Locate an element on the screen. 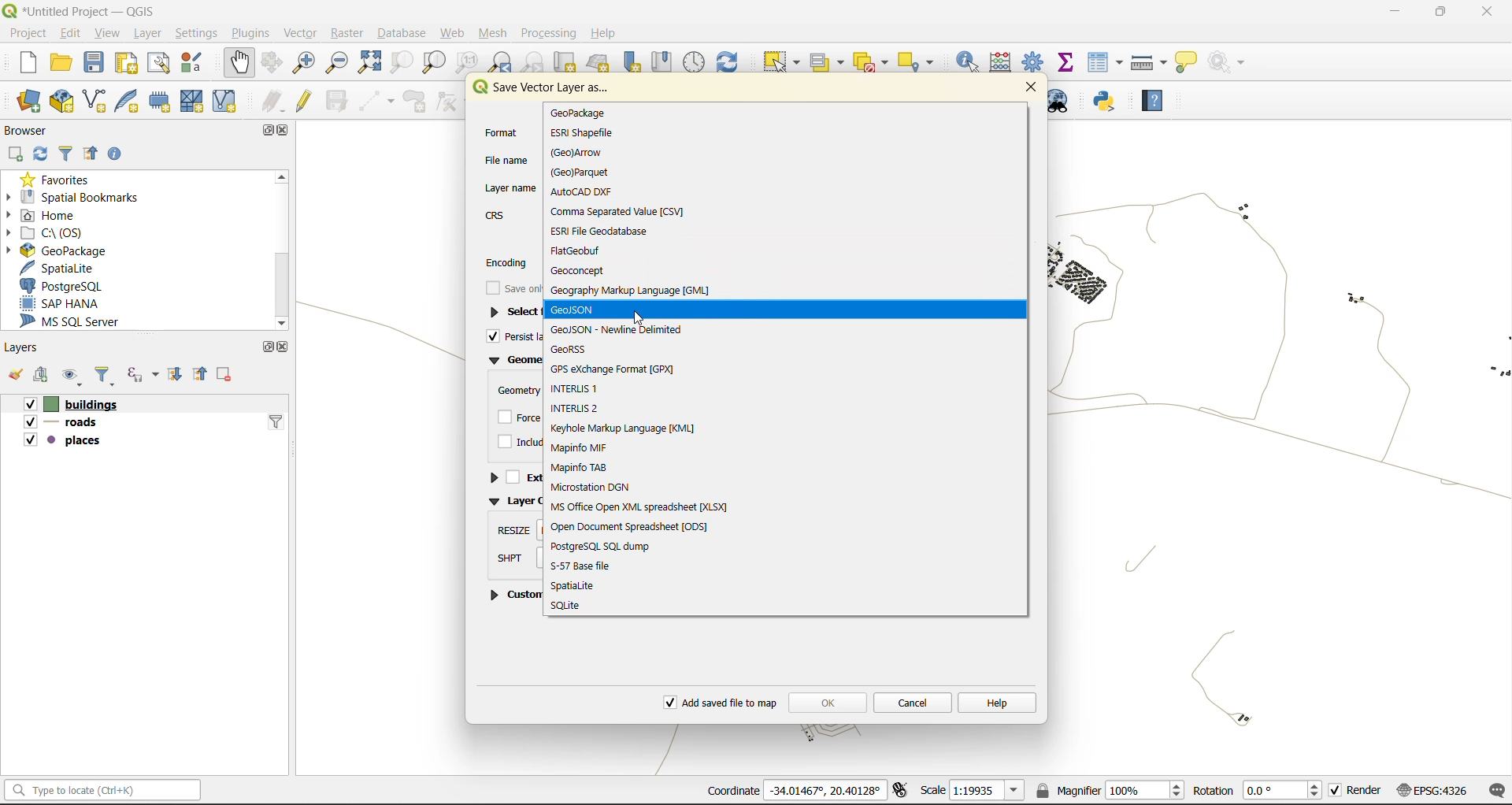 The height and width of the screenshot is (805, 1512). filter by expression is located at coordinates (143, 376).